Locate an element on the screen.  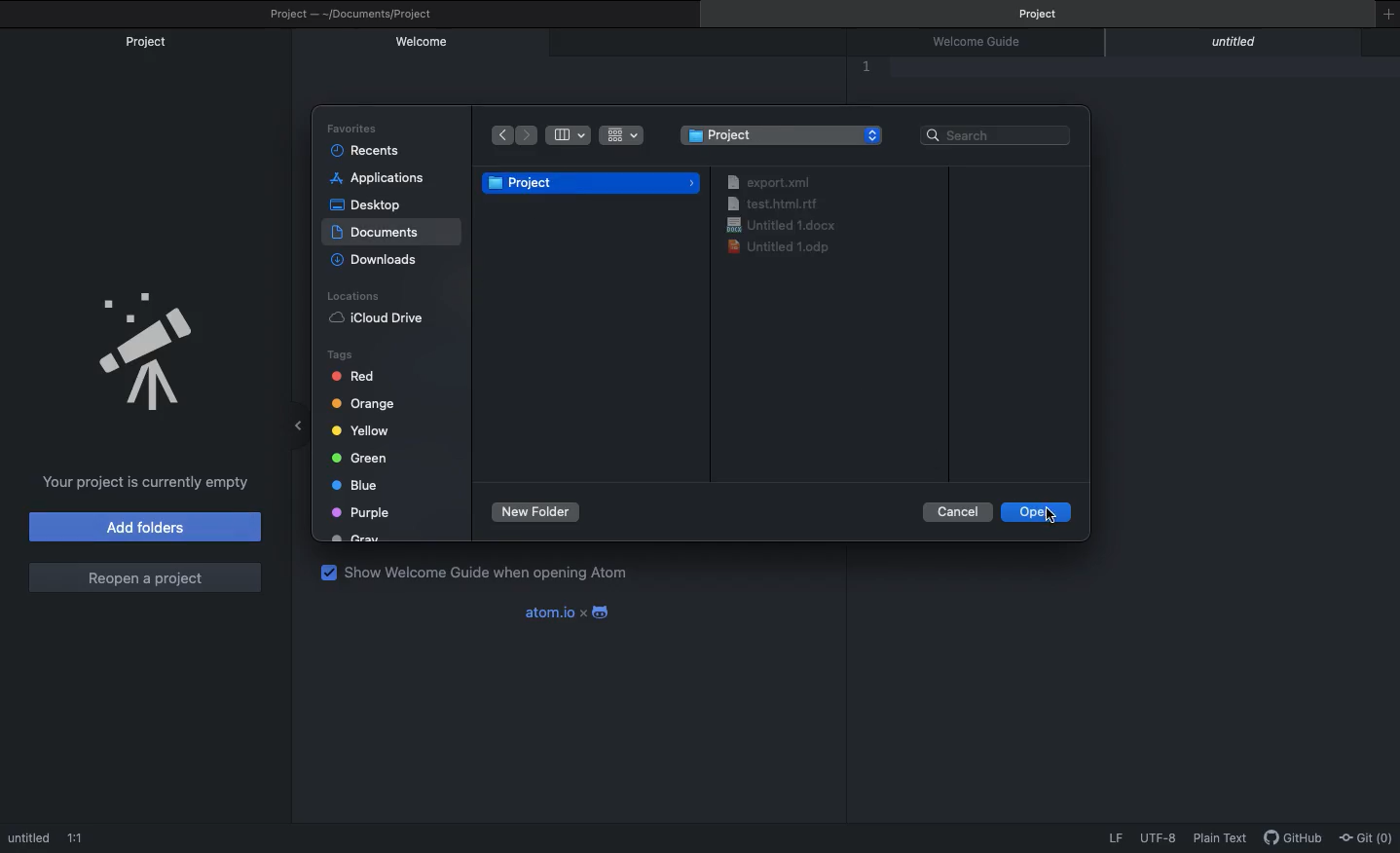
Favorites is located at coordinates (355, 129).